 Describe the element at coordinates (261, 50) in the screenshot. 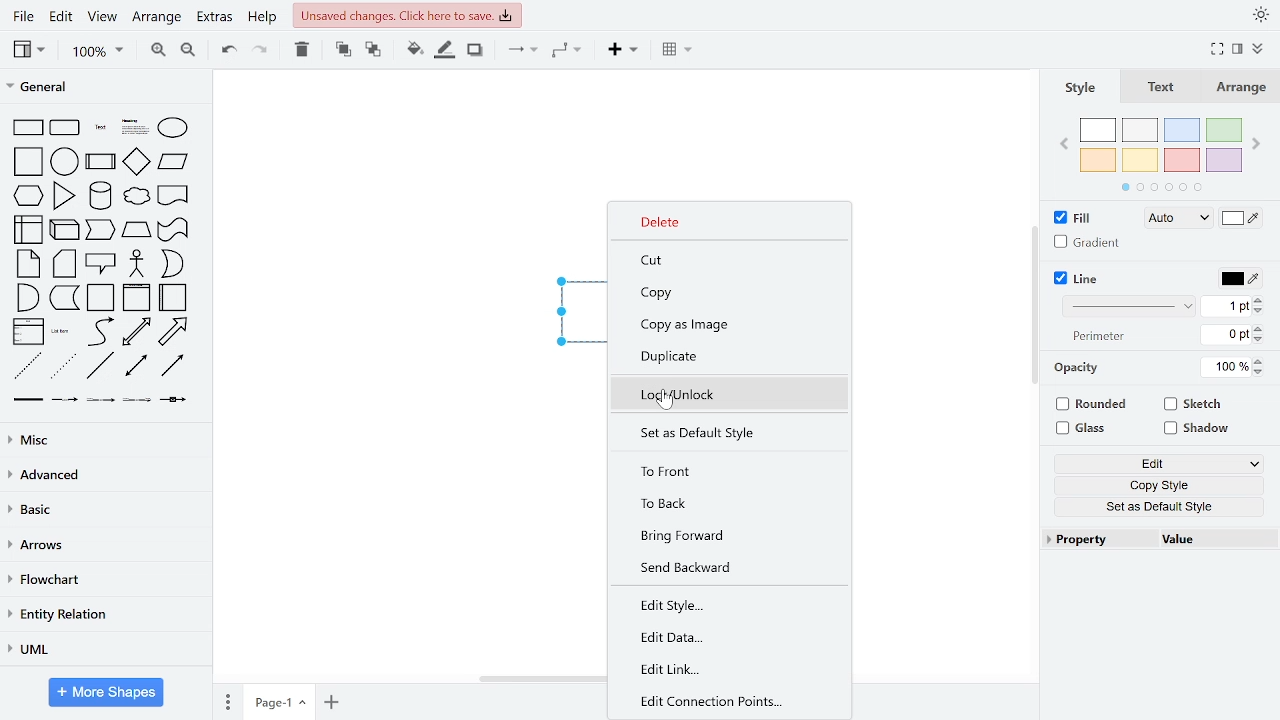

I see `redo` at that location.